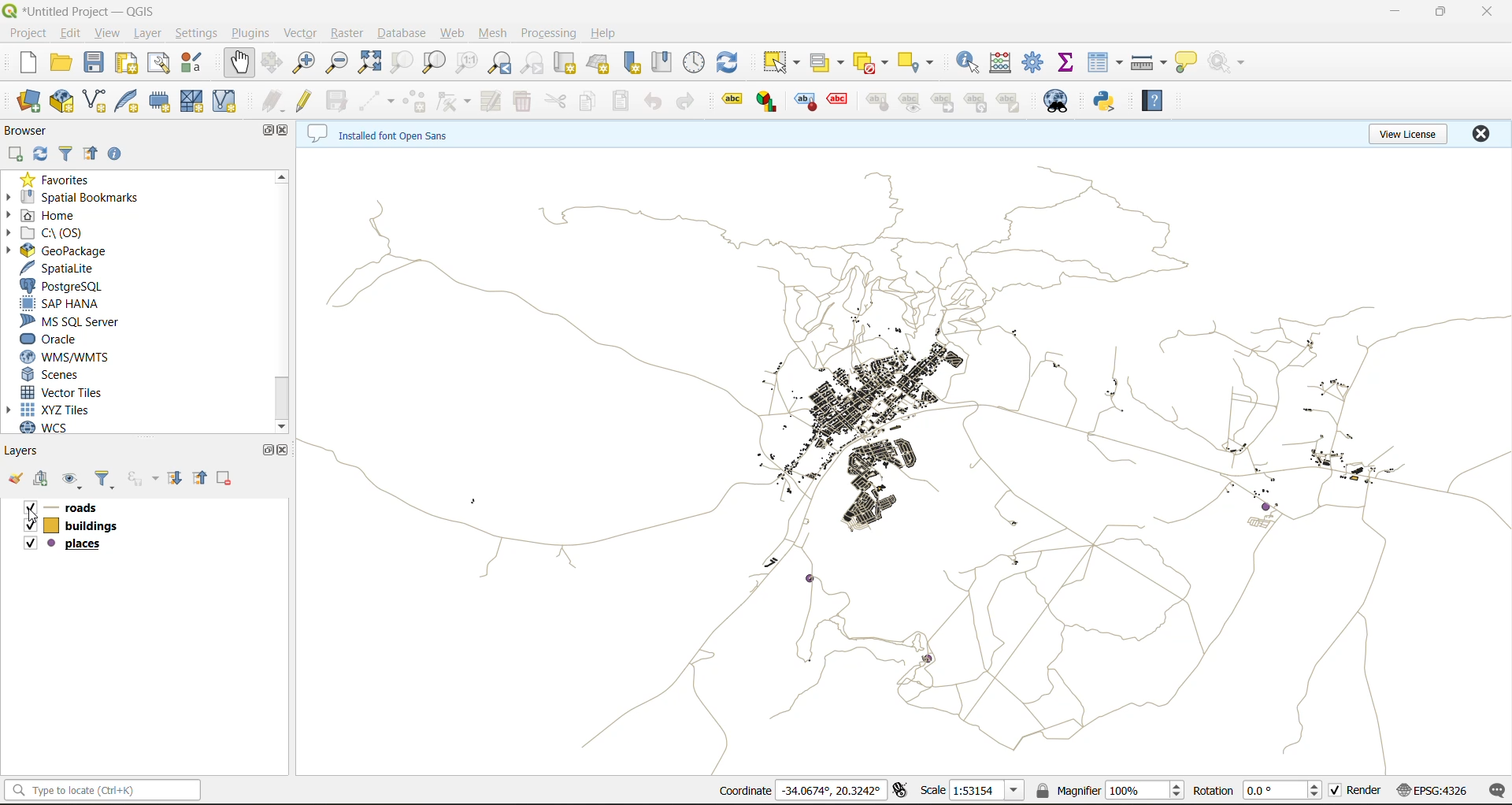 This screenshot has height=805, width=1512. I want to click on open, so click(64, 65).